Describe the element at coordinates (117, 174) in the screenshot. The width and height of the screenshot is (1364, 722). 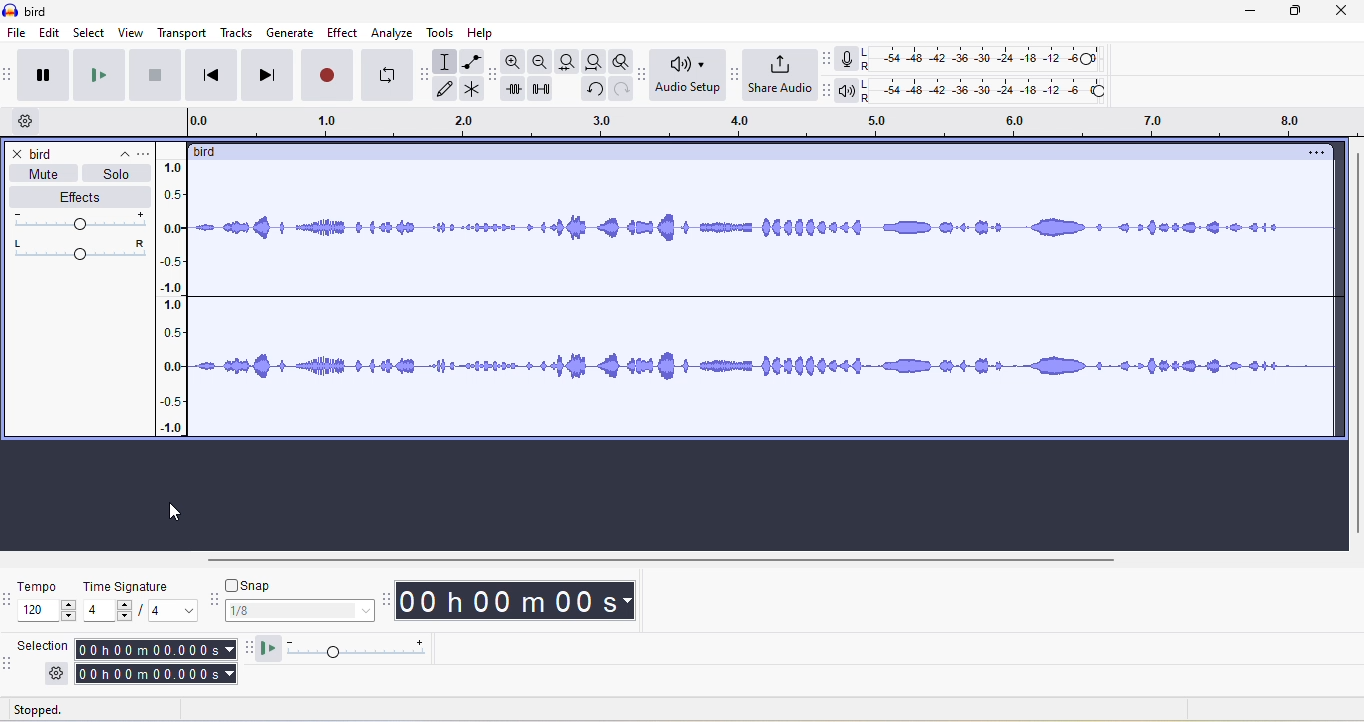
I see `solo` at that location.